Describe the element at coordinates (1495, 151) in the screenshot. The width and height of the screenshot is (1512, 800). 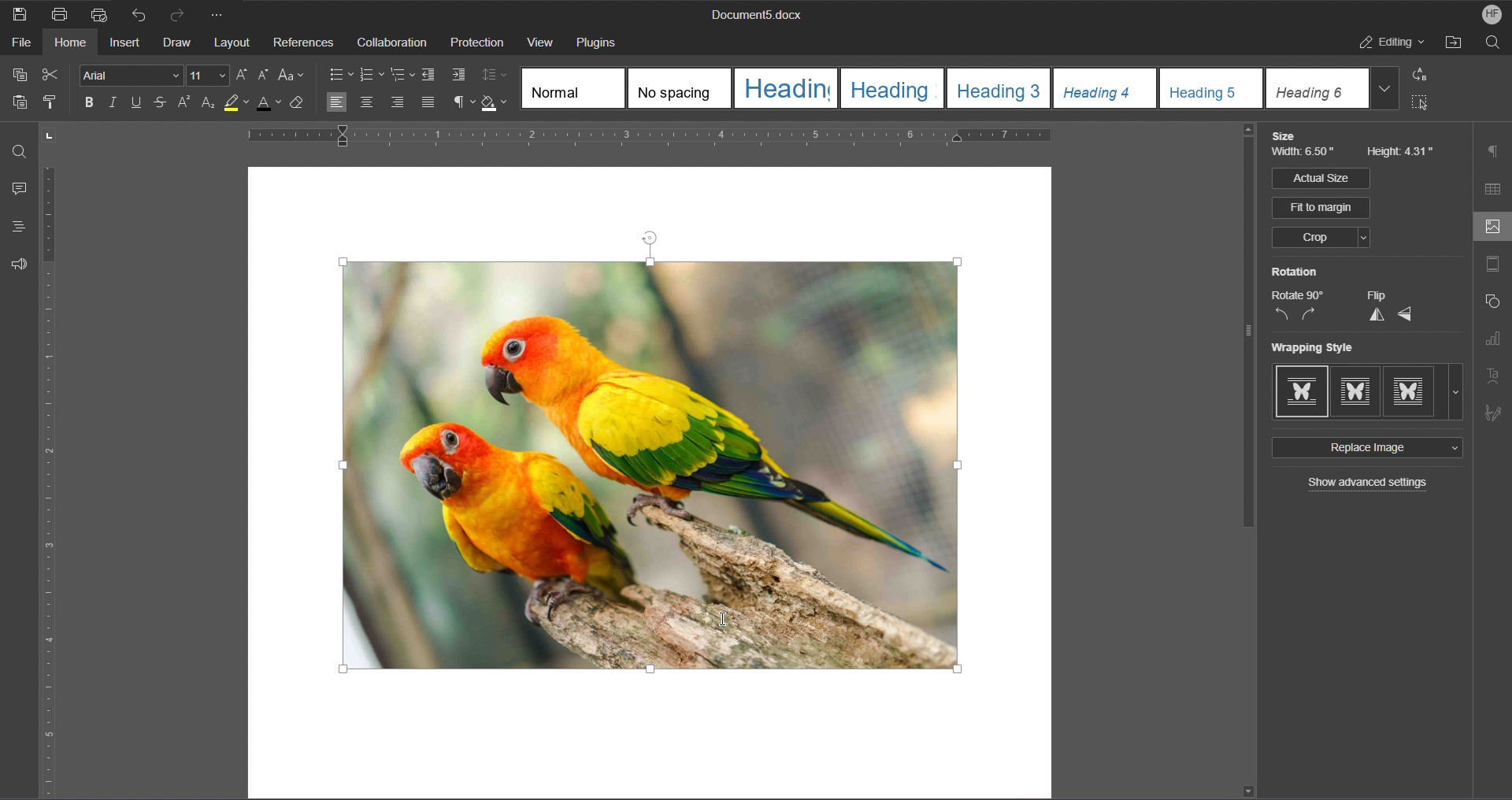
I see `Paragraph Settings` at that location.